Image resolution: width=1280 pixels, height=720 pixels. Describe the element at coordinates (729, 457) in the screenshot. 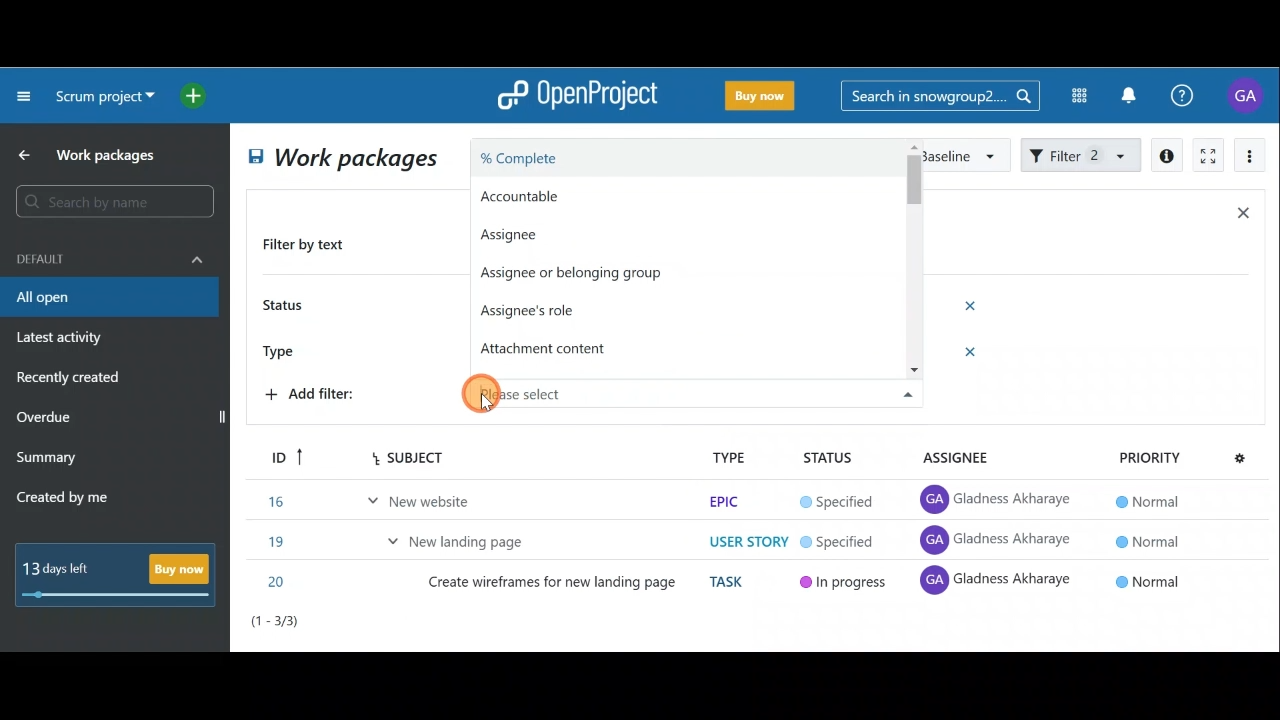

I see `type` at that location.